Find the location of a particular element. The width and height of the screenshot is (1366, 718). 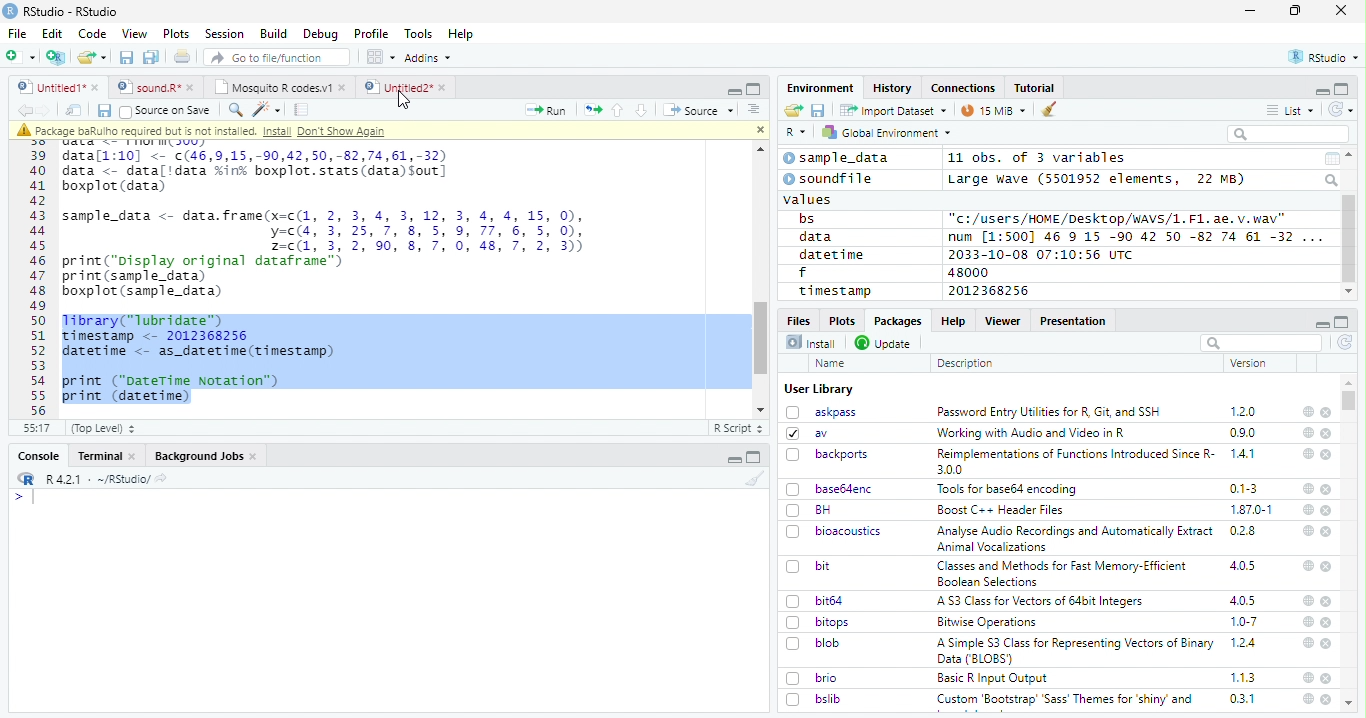

2033-10-08 07:10:56 UTC is located at coordinates (1042, 254).